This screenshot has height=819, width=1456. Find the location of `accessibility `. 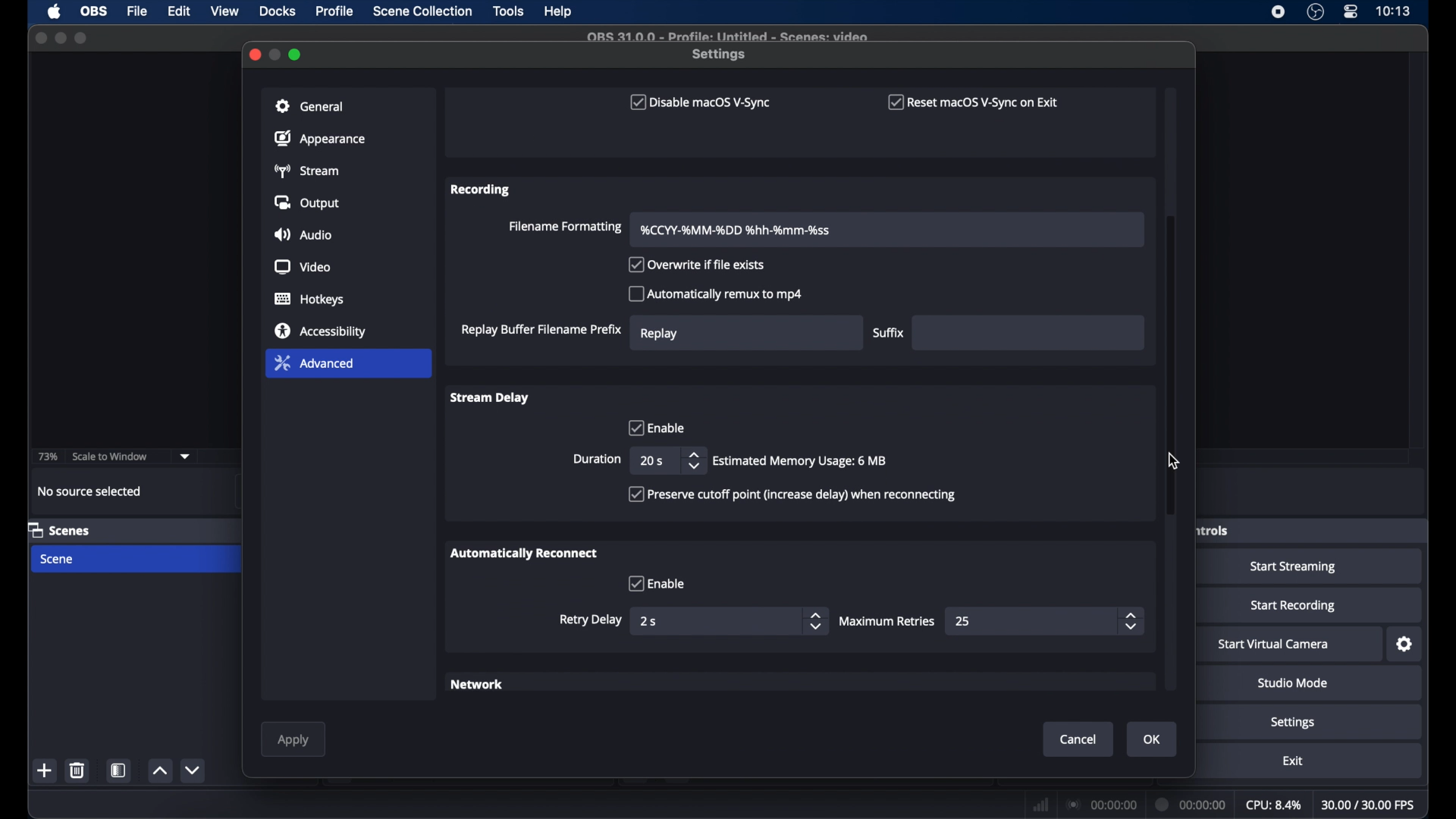

accessibility  is located at coordinates (322, 330).